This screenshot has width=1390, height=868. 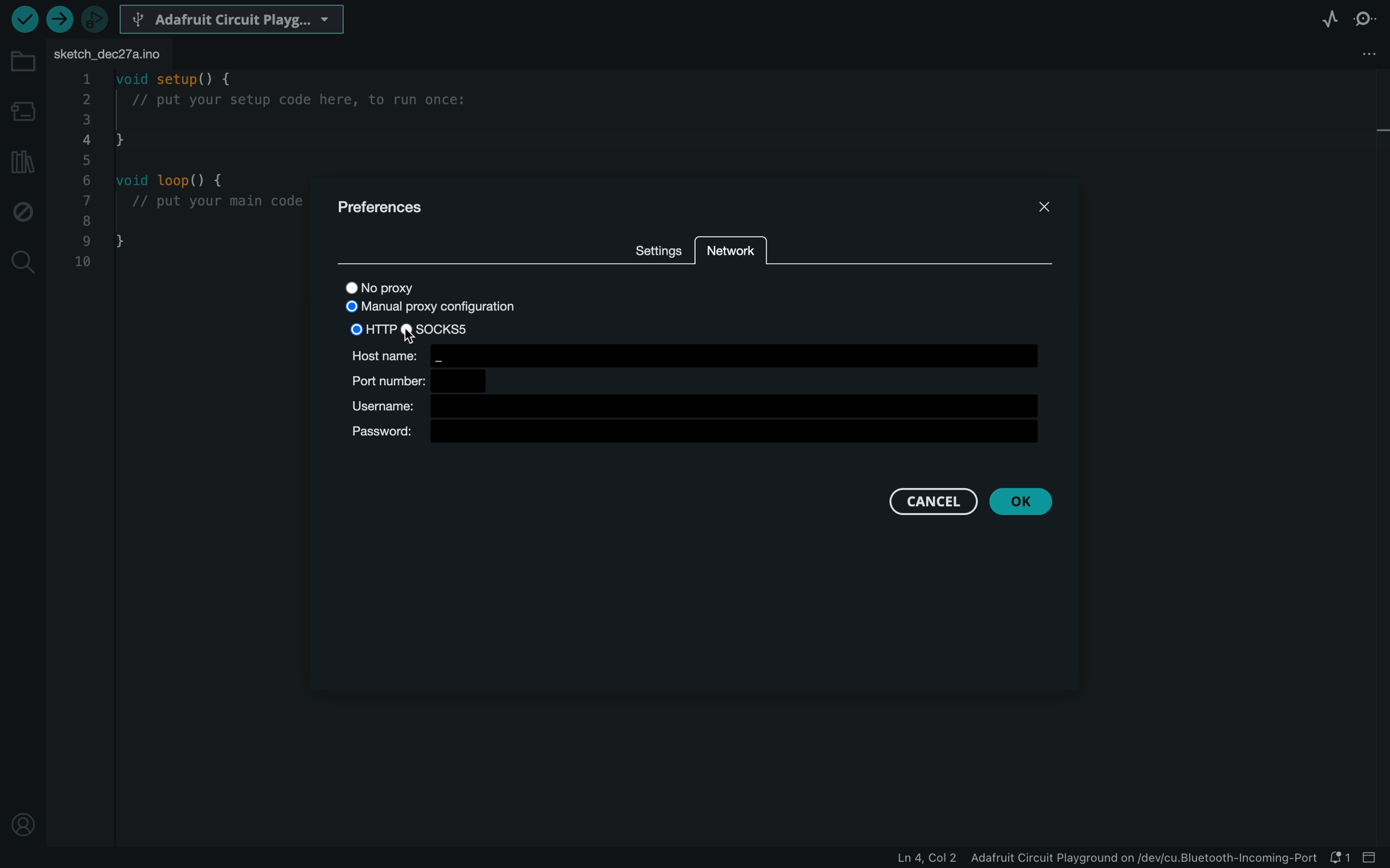 What do you see at coordinates (1091, 857) in the screenshot?
I see `file information` at bounding box center [1091, 857].